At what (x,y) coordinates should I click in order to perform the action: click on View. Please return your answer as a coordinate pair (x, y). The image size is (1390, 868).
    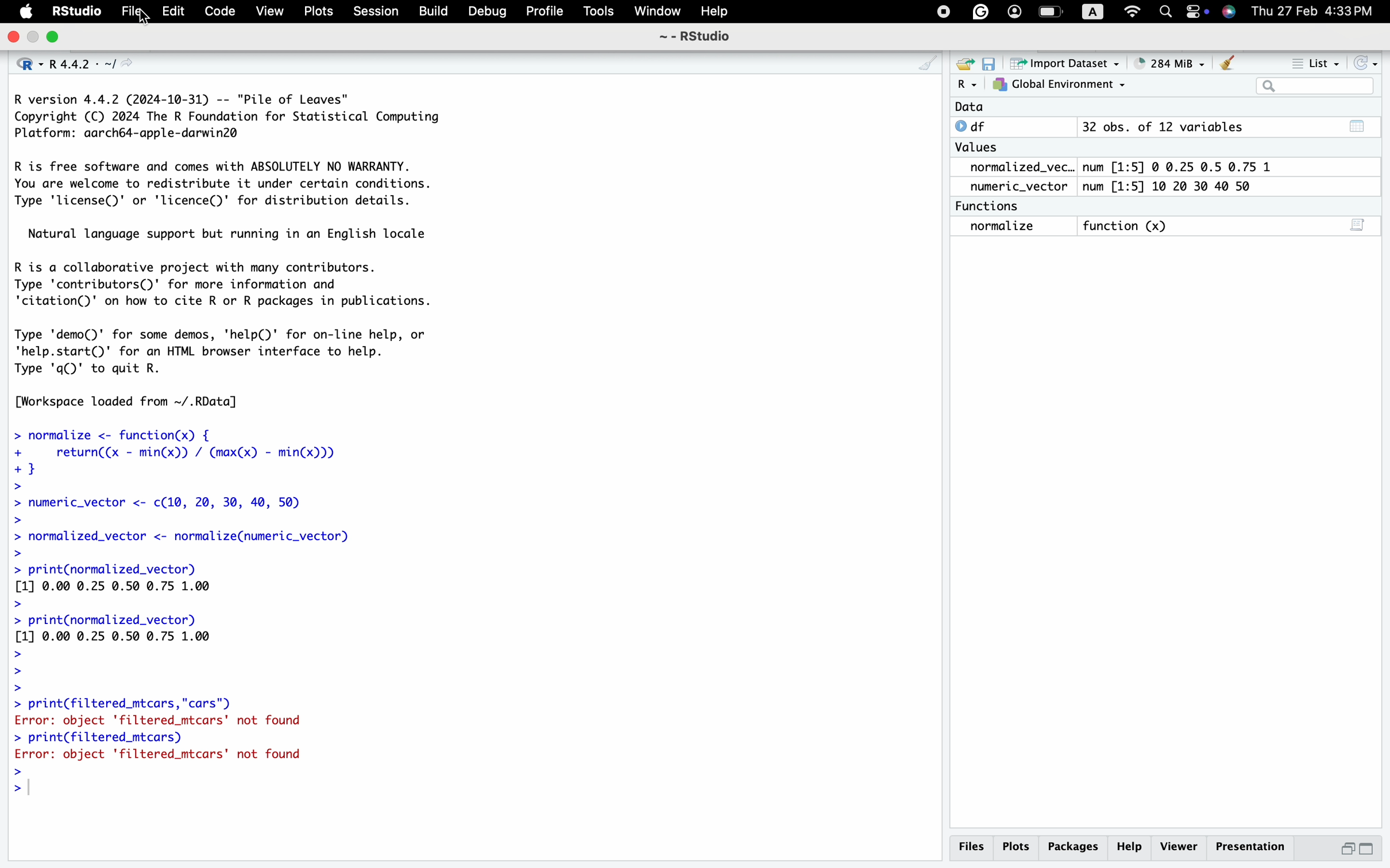
    Looking at the image, I should click on (271, 10).